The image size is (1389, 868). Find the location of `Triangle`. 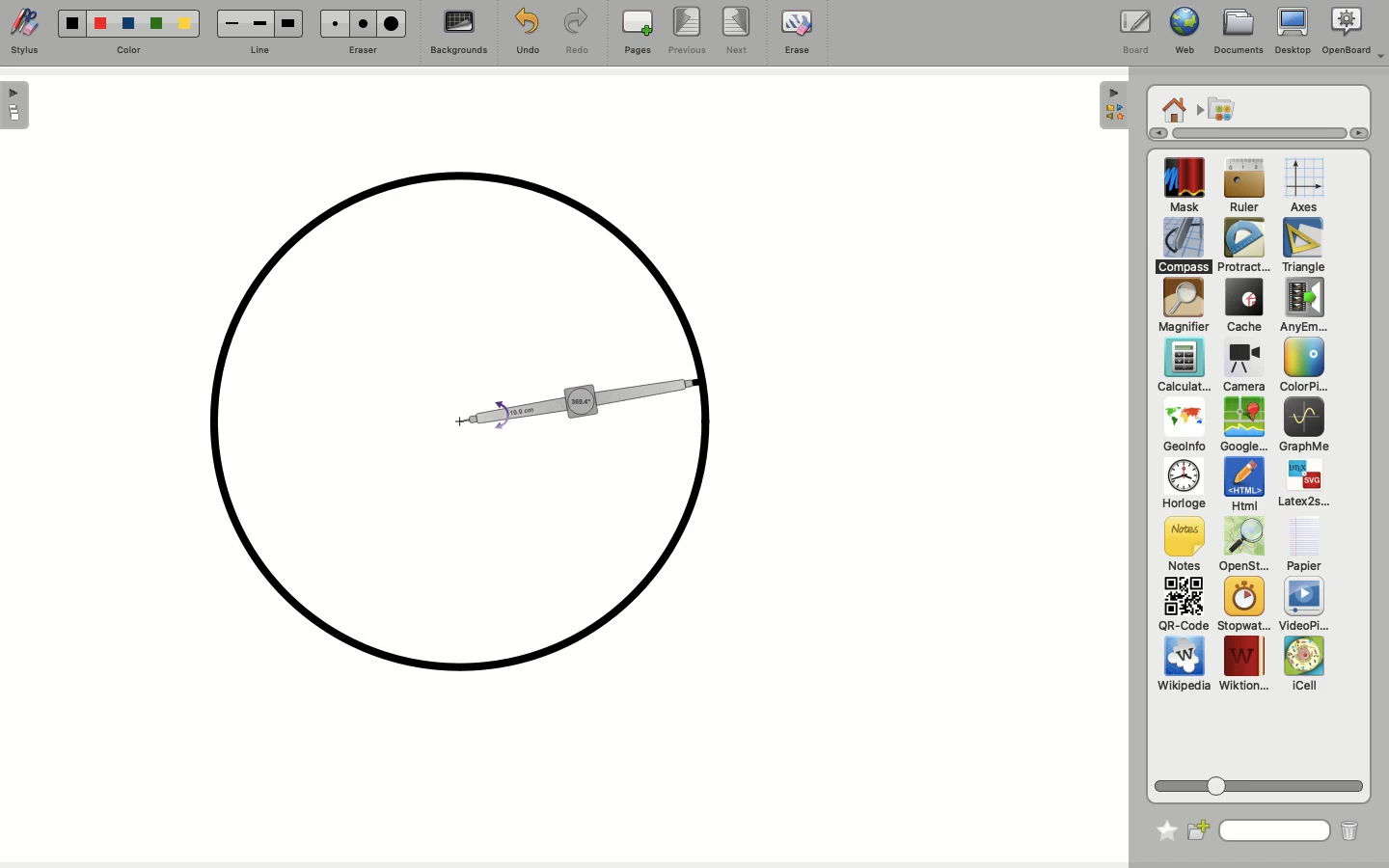

Triangle is located at coordinates (1301, 246).